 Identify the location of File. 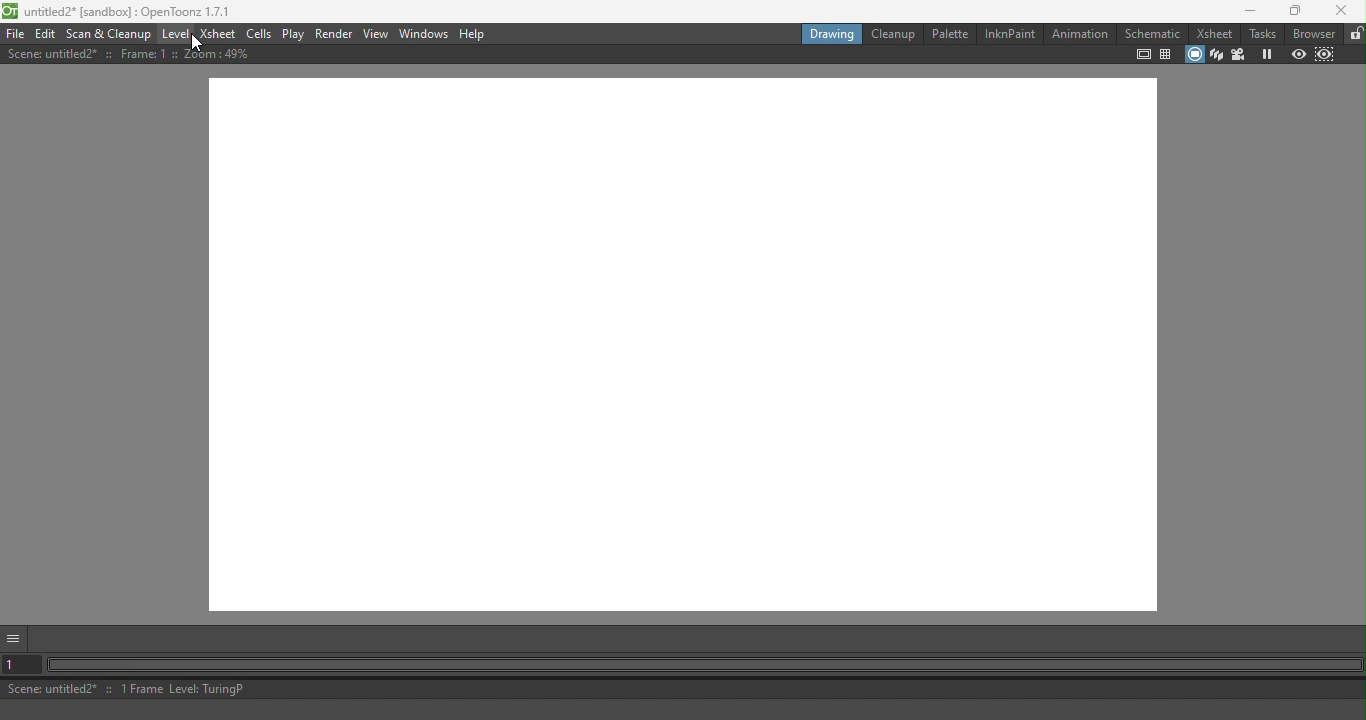
(13, 33).